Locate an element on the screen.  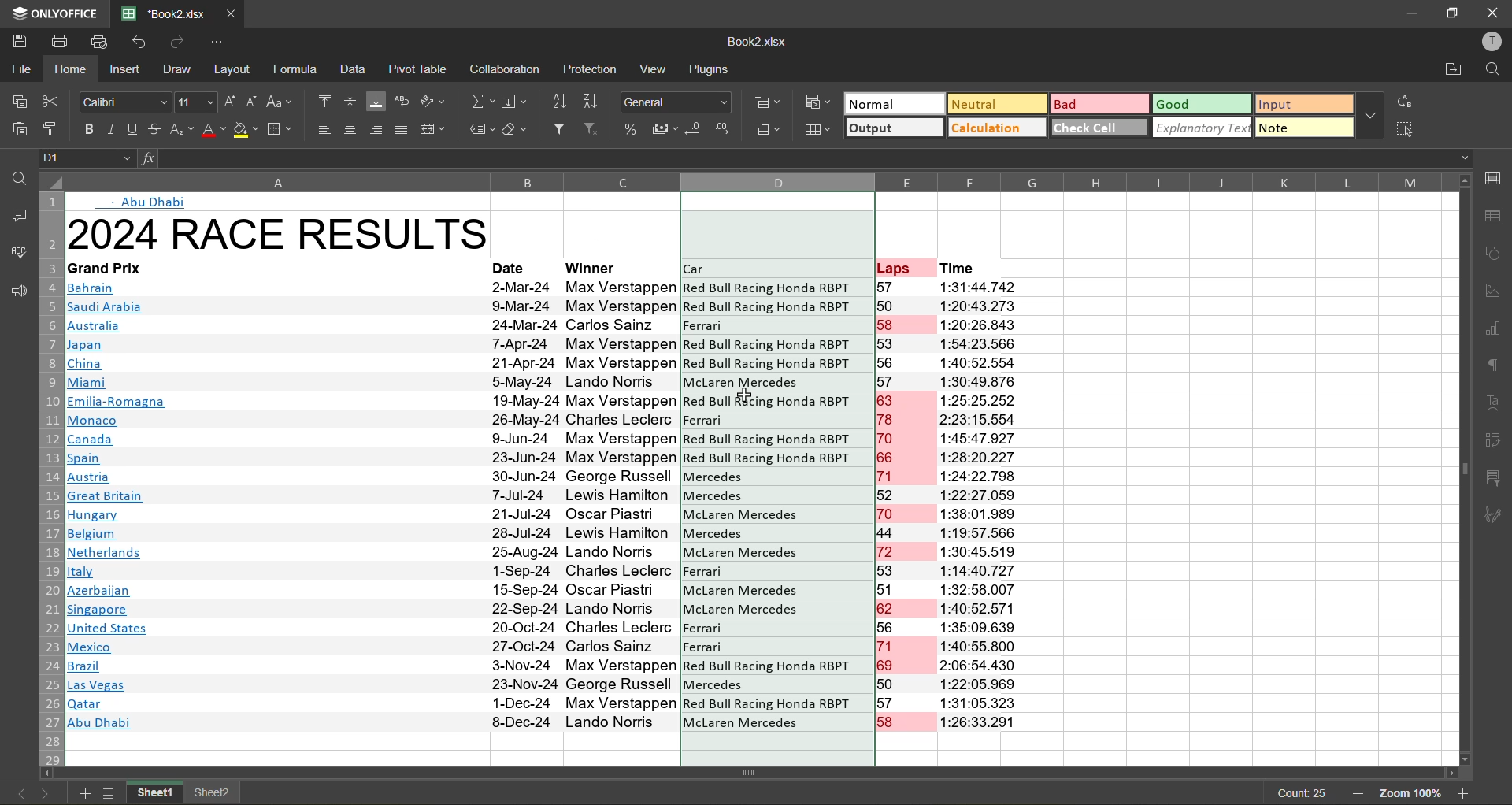
sheet1 is located at coordinates (153, 794).